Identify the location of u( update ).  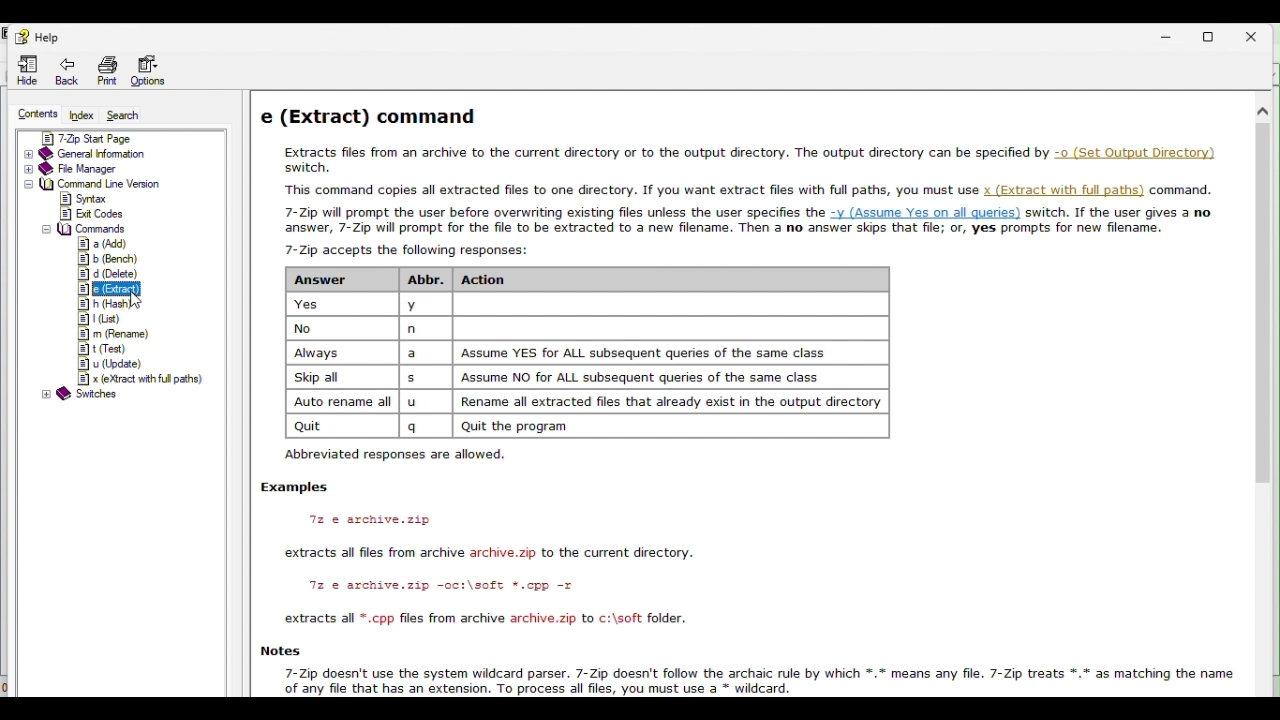
(105, 362).